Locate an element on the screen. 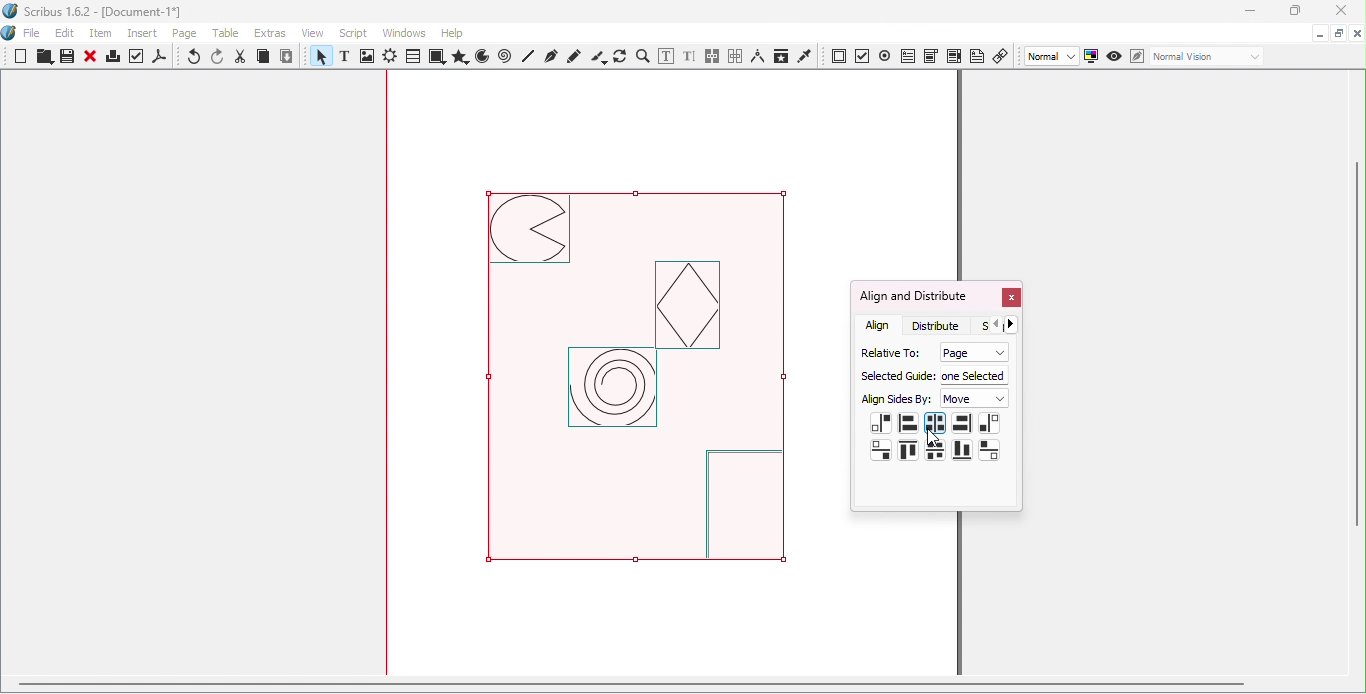 Image resolution: width=1366 pixels, height=694 pixels. Table is located at coordinates (229, 34).